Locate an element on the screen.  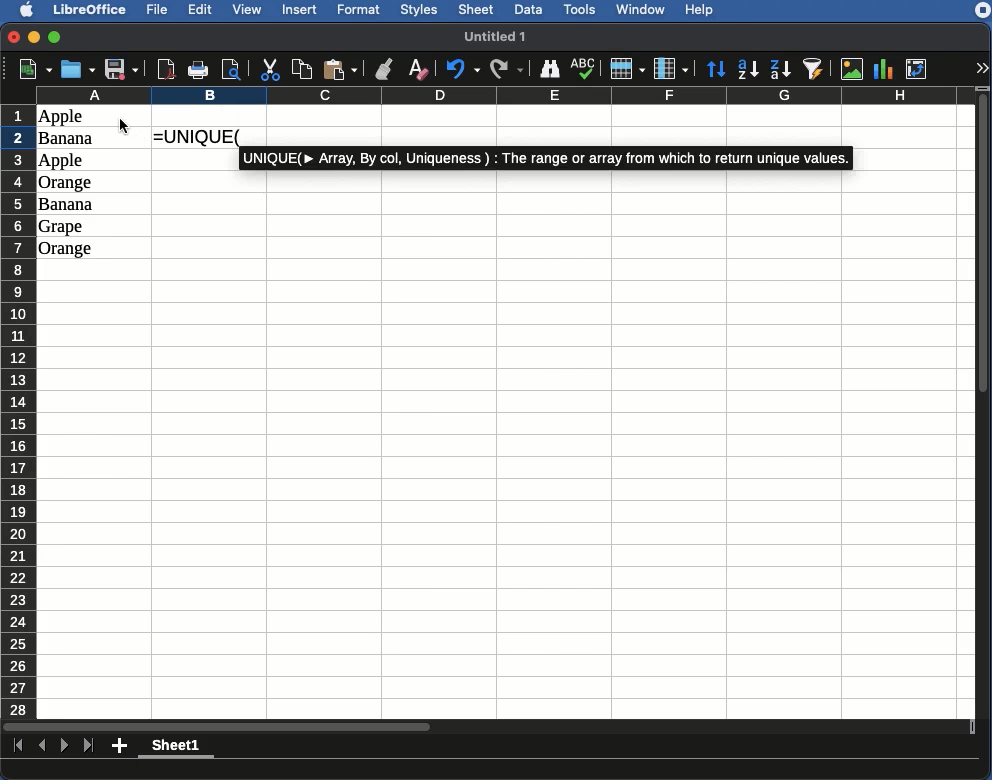
Print preview is located at coordinates (232, 69).